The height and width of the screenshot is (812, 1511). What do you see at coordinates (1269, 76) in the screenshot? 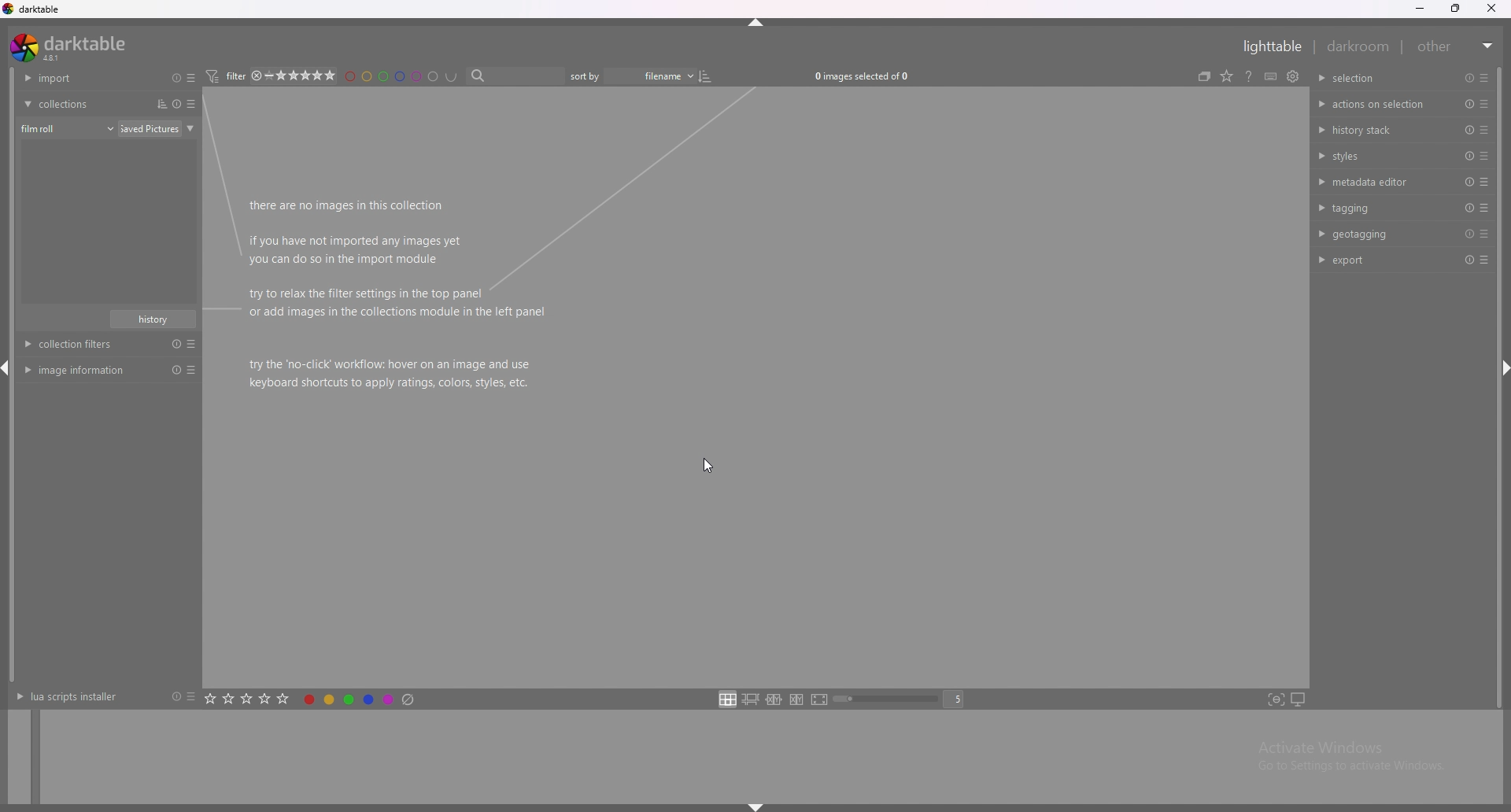
I see `online help` at bounding box center [1269, 76].